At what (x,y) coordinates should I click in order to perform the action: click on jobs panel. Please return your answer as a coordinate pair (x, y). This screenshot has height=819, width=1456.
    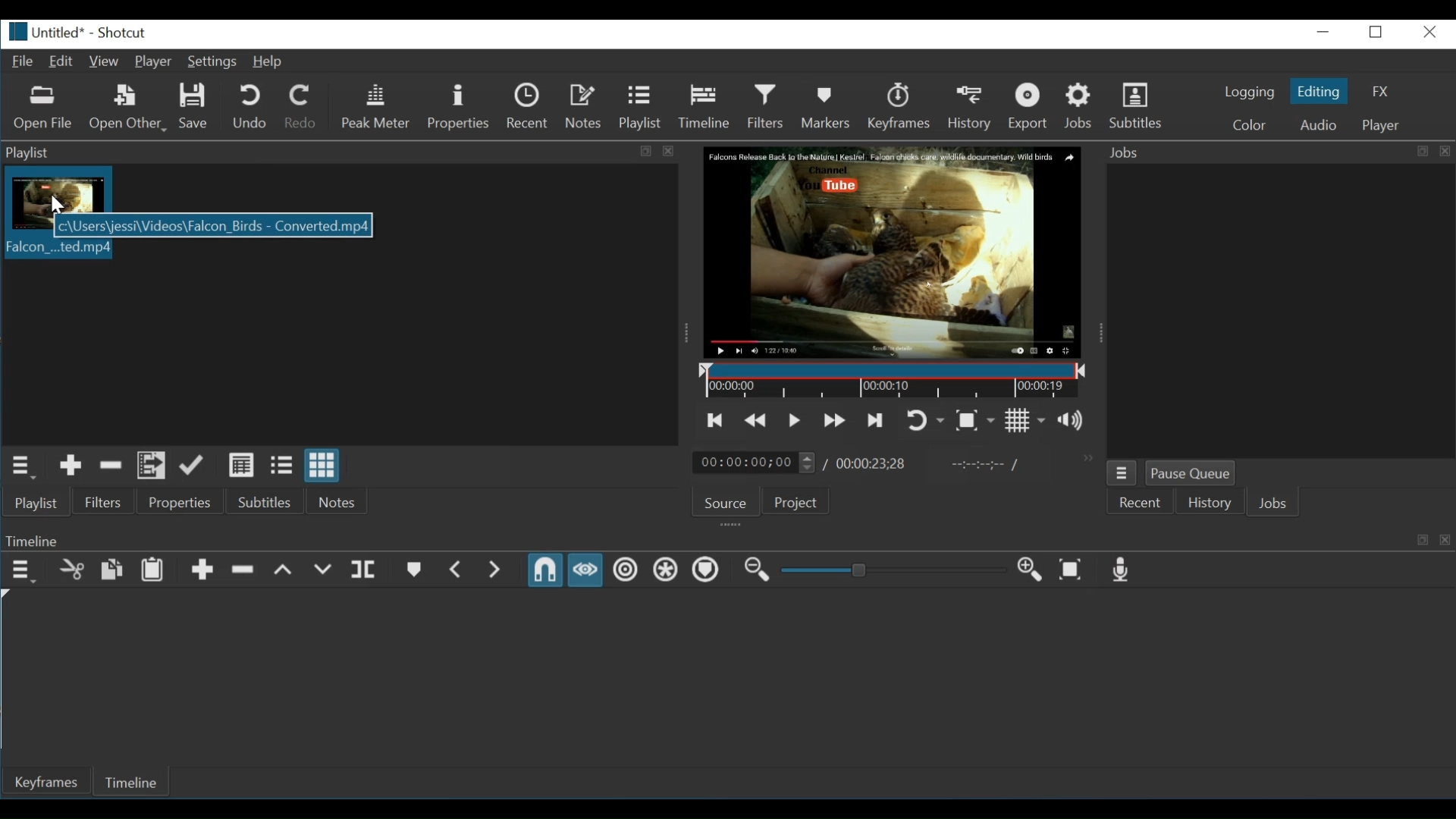
    Looking at the image, I should click on (1280, 309).